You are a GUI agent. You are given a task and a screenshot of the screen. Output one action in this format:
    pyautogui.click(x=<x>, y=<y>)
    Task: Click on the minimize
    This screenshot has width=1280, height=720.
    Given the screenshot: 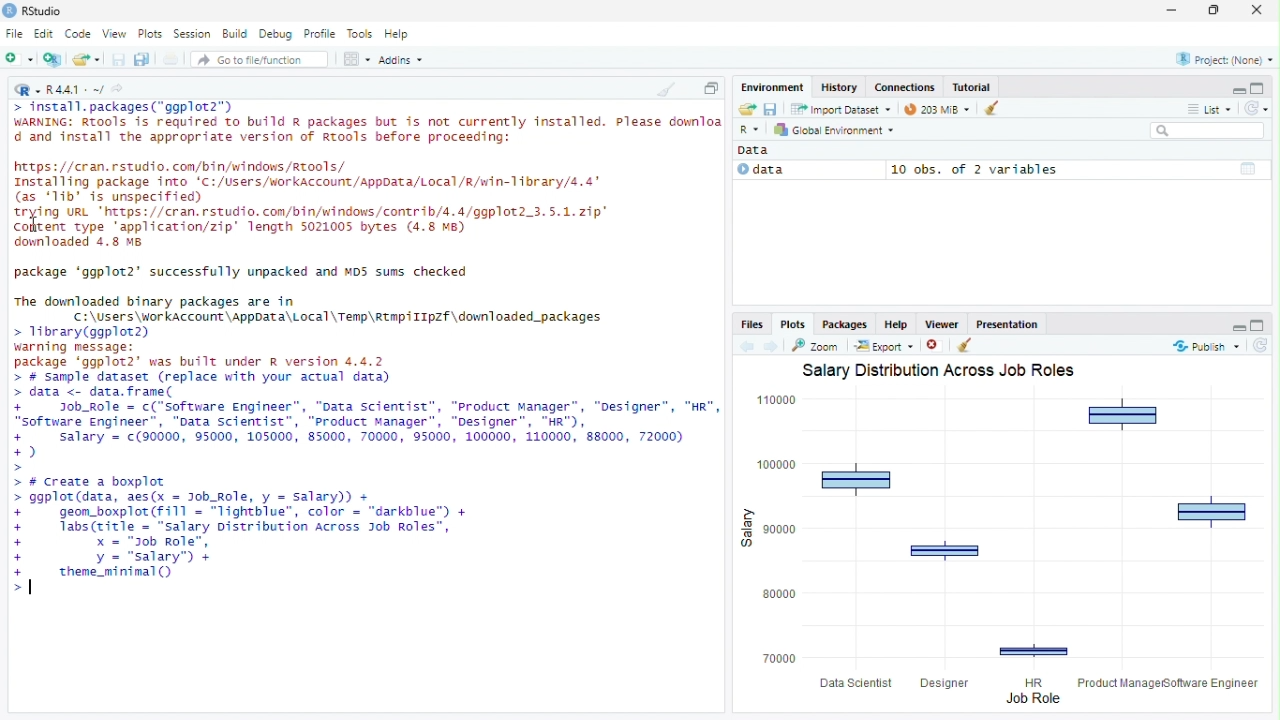 What is the action you would take?
    pyautogui.click(x=1238, y=89)
    